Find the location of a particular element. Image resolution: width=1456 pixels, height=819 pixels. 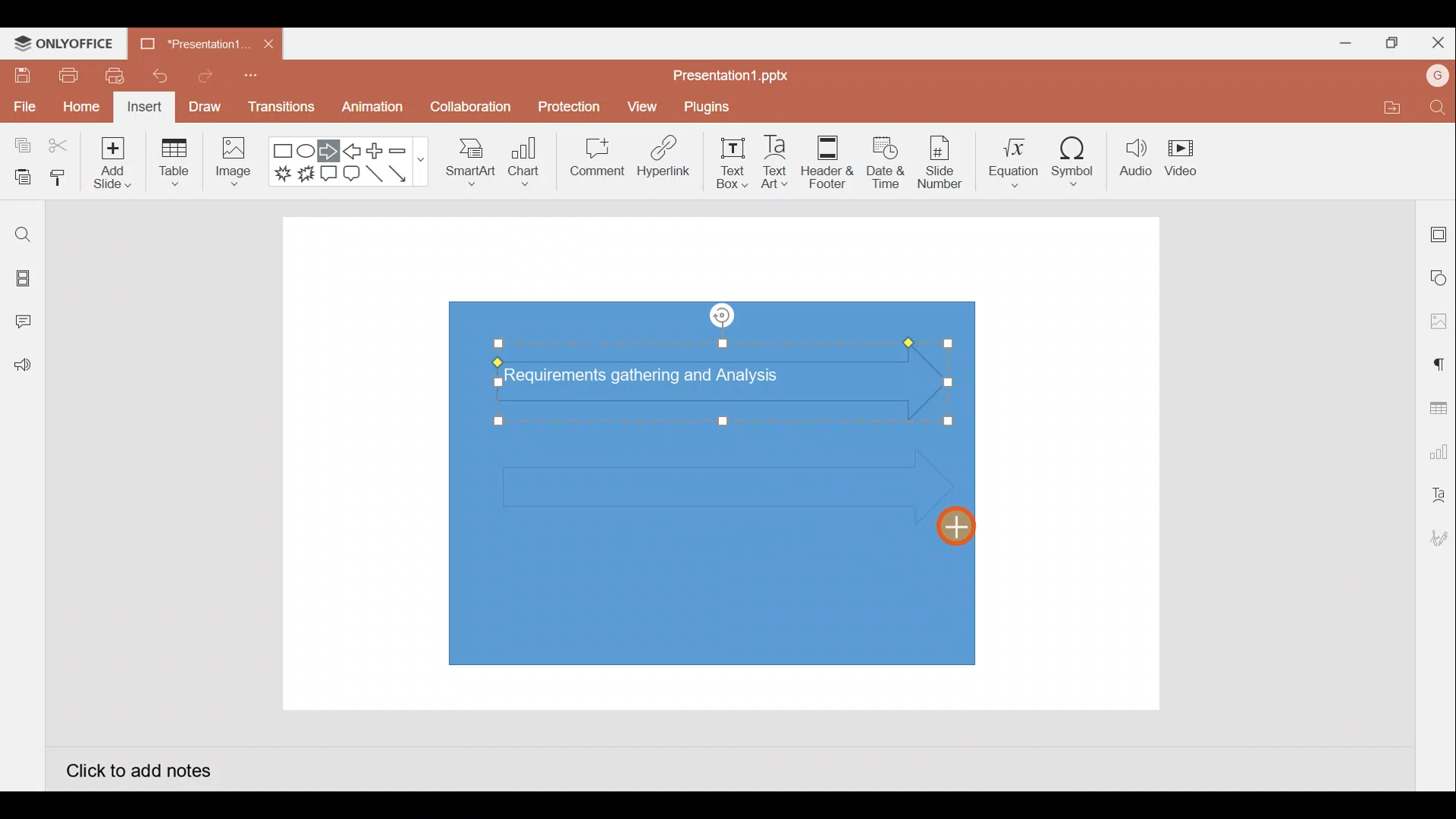

Undo is located at coordinates (154, 76).